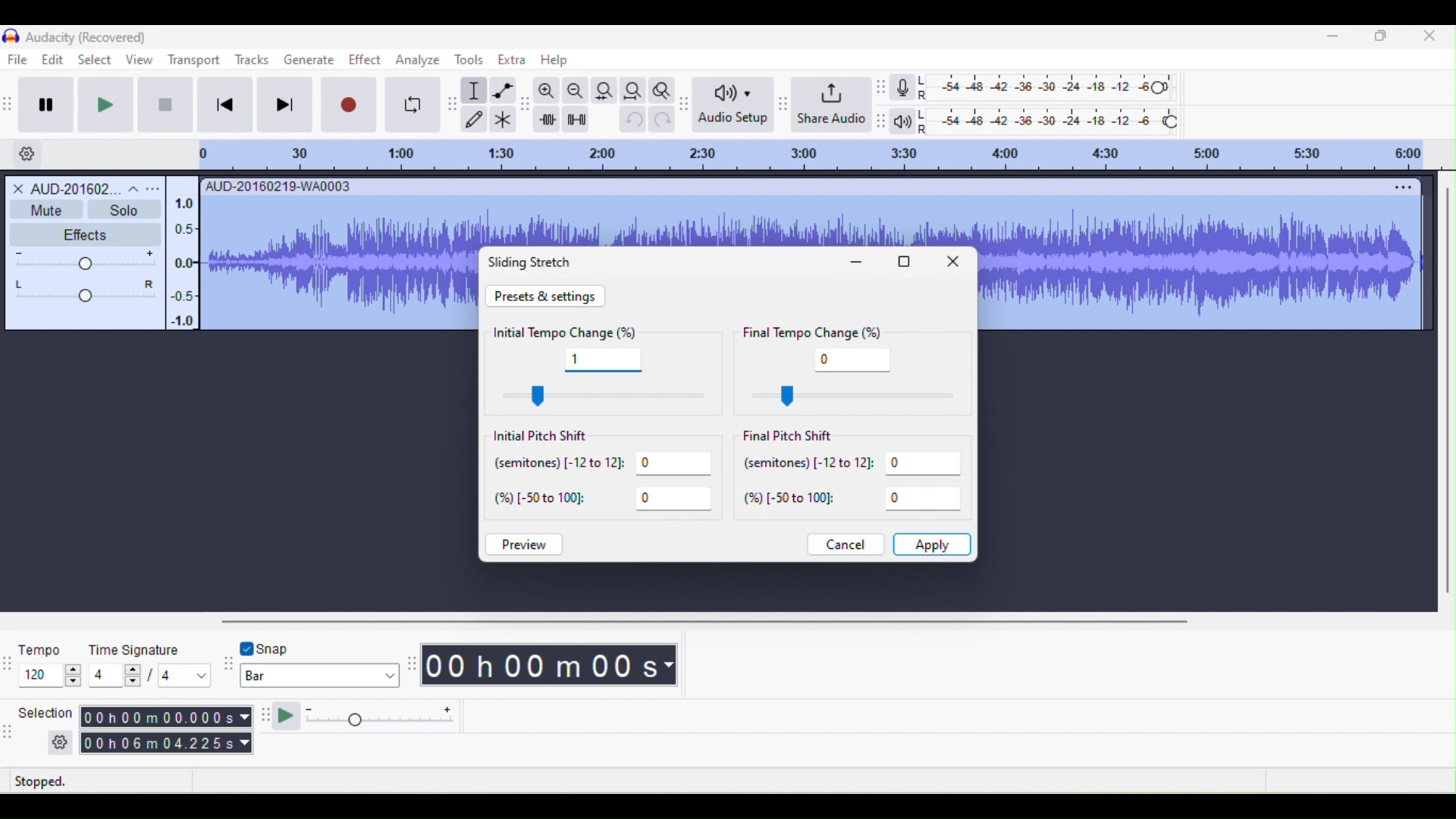 This screenshot has height=819, width=1456. I want to click on tools, so click(474, 61).